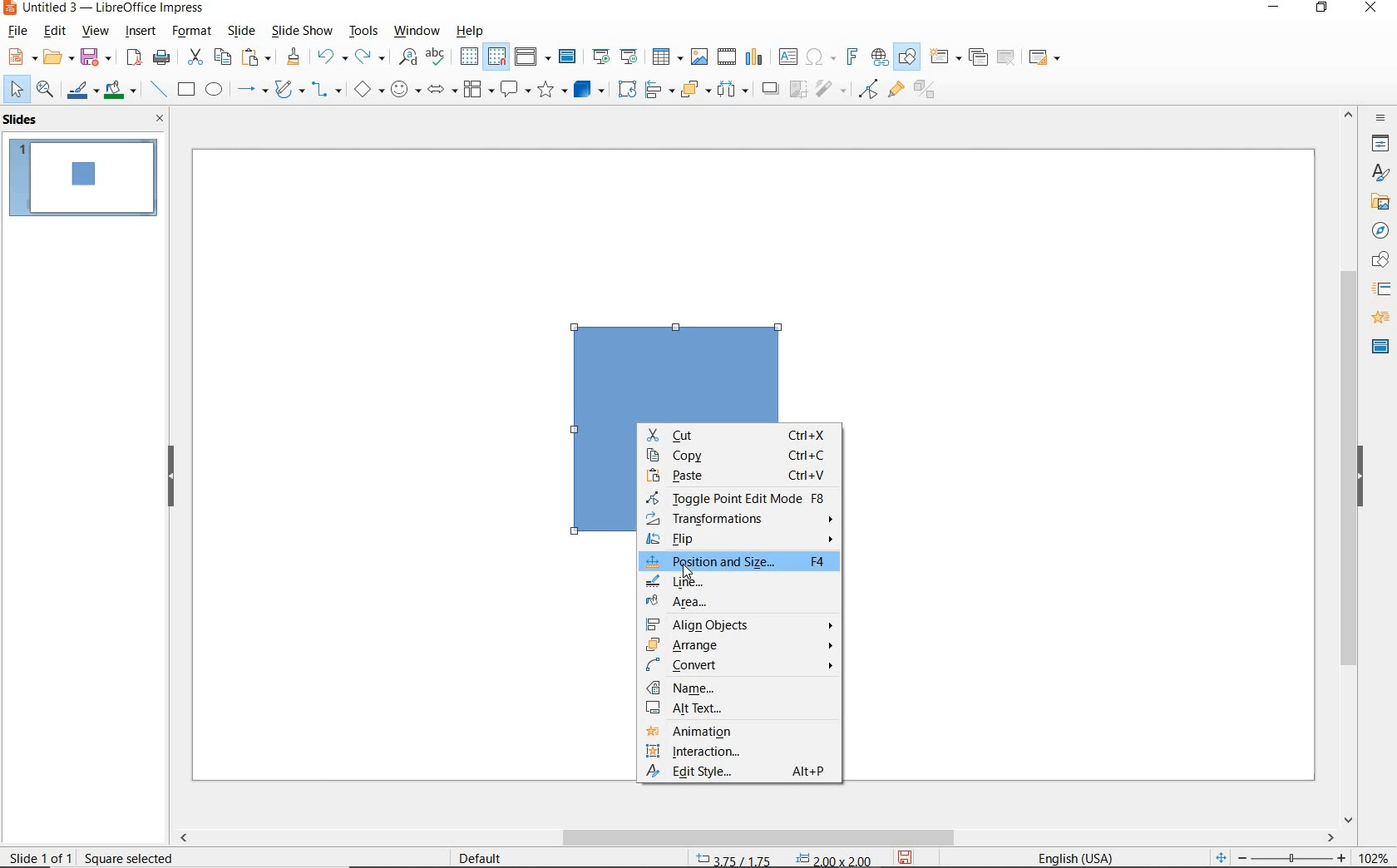 The height and width of the screenshot is (868, 1397). What do you see at coordinates (1349, 466) in the screenshot?
I see `scrollbar` at bounding box center [1349, 466].